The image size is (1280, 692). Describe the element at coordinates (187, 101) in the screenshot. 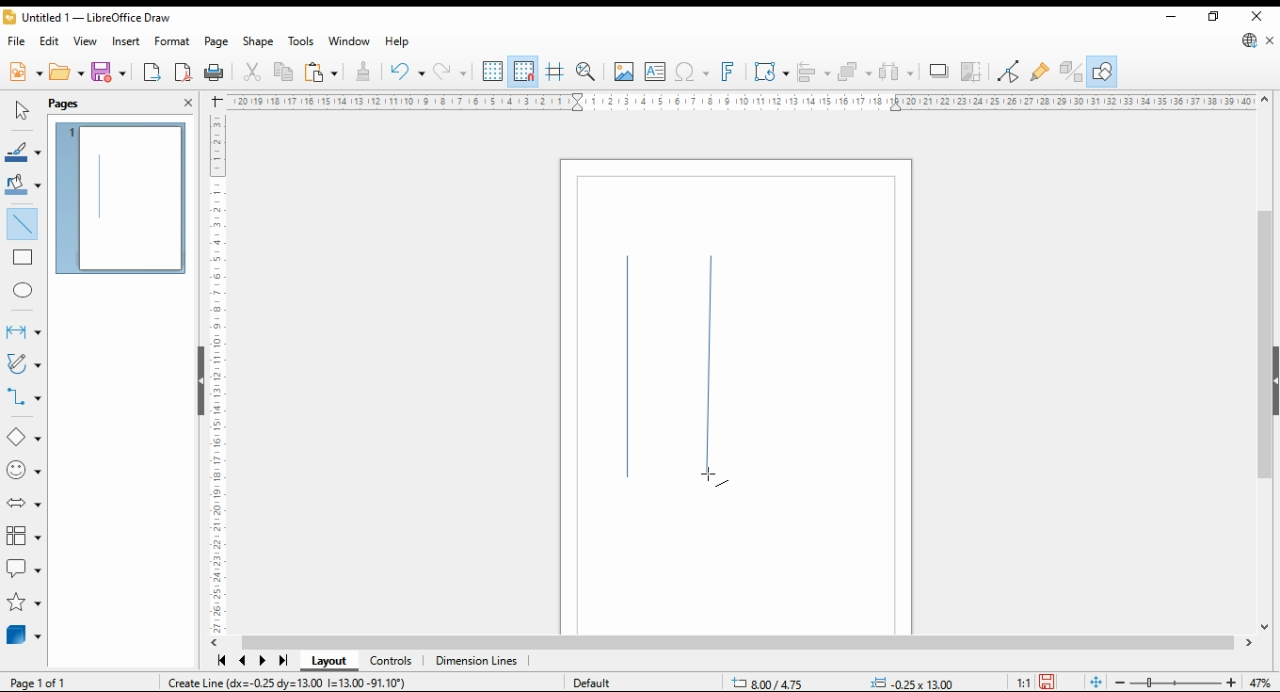

I see `close pane` at that location.